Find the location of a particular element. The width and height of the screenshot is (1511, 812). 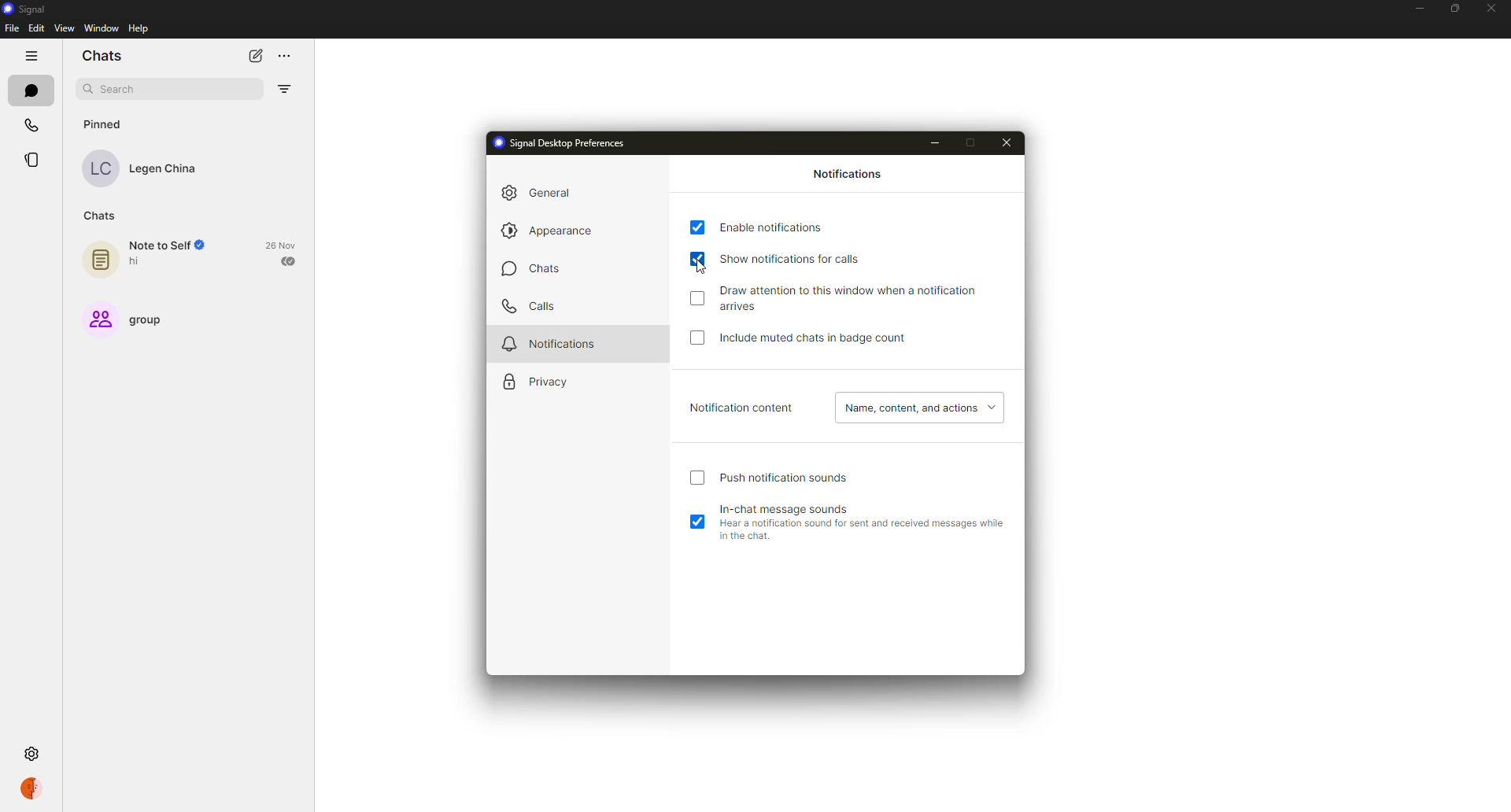

notifications is located at coordinates (549, 345).